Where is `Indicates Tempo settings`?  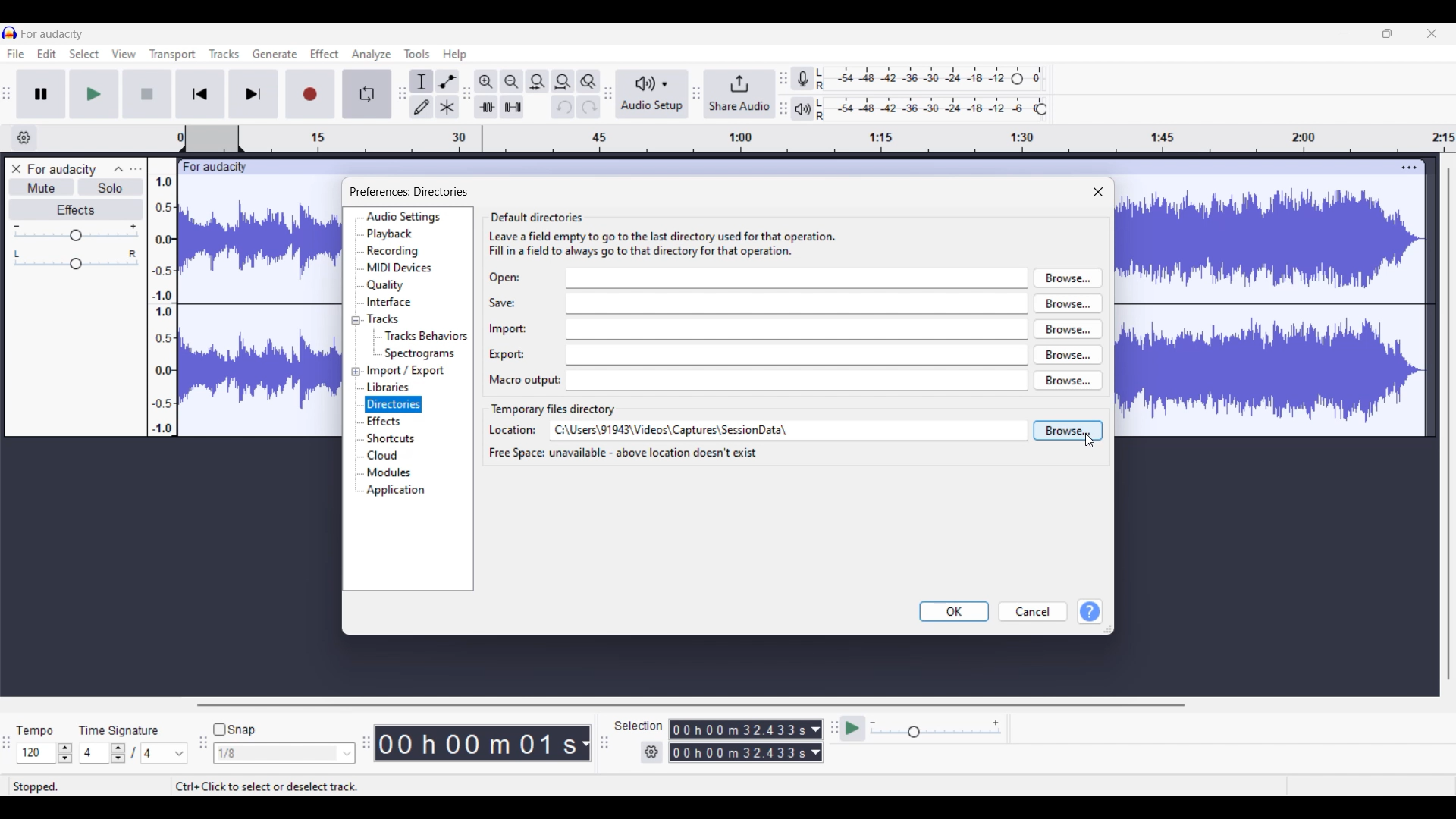 Indicates Tempo settings is located at coordinates (36, 730).